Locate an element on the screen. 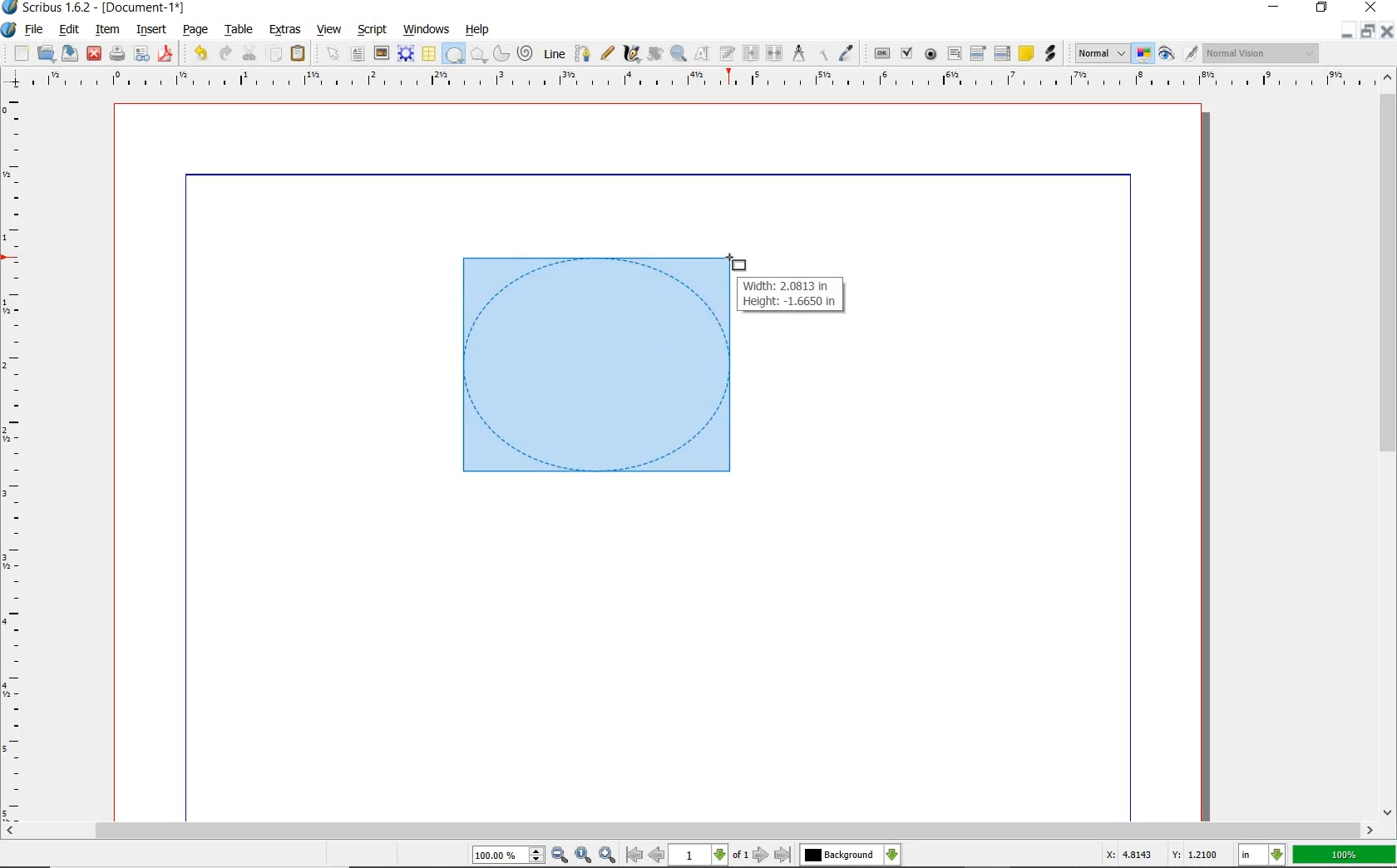 The height and width of the screenshot is (868, 1397). RULER is located at coordinates (694, 81).